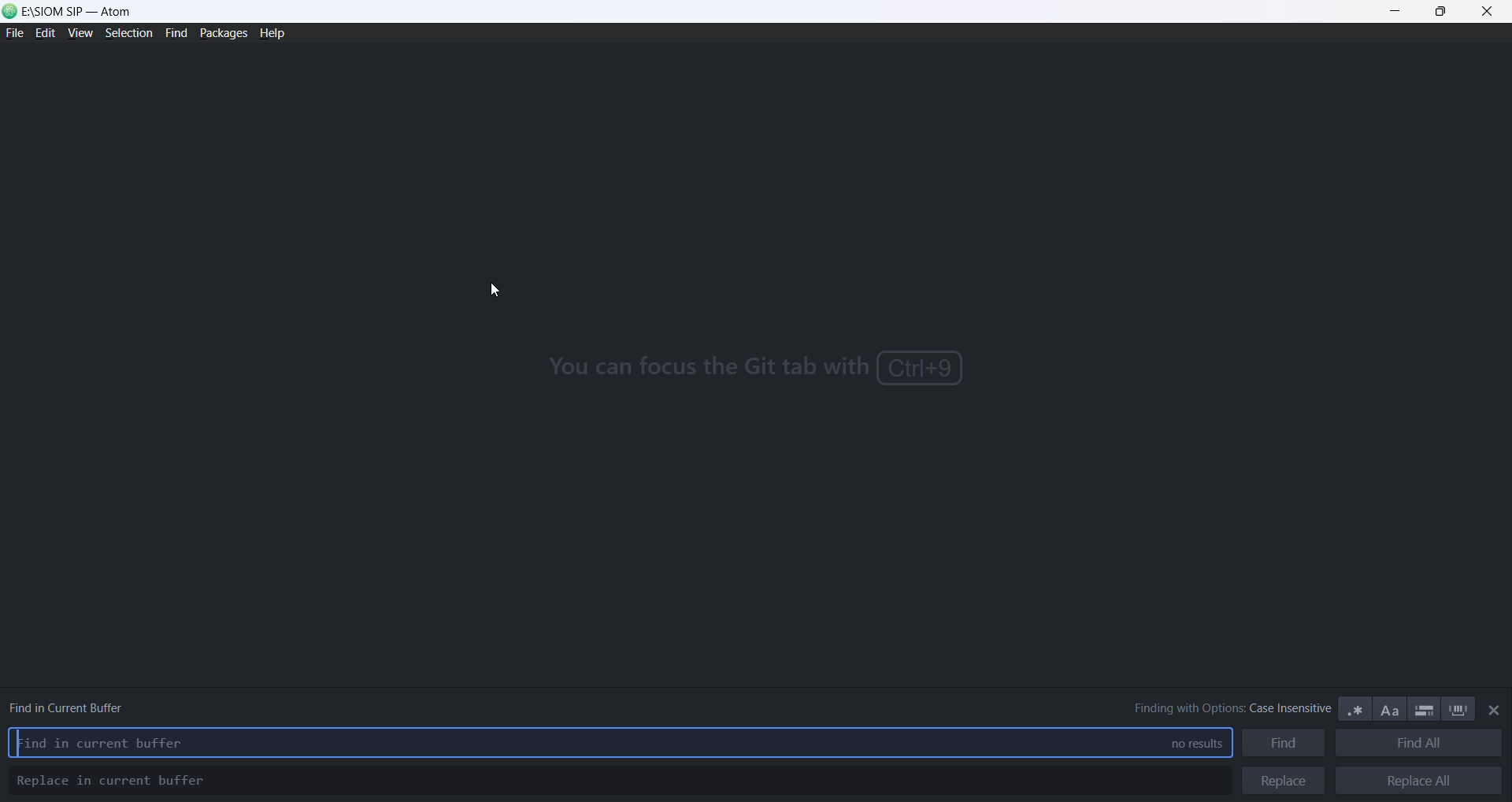 The height and width of the screenshot is (802, 1512). What do you see at coordinates (754, 370) in the screenshot?
I see `you can focus the git tab with ctrl+9` at bounding box center [754, 370].